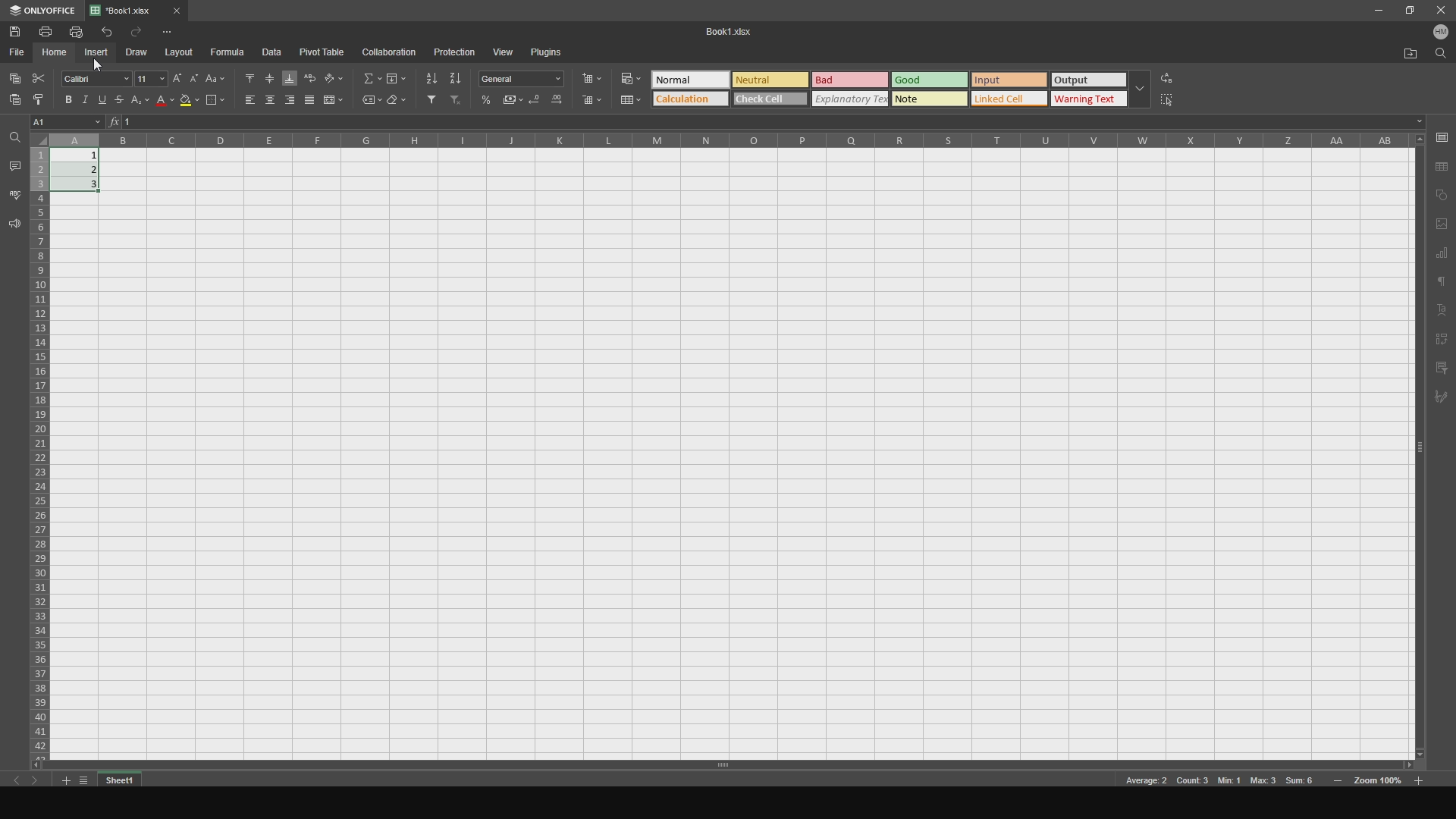 This screenshot has width=1456, height=819. Describe the element at coordinates (101, 66) in the screenshot. I see `cursor` at that location.